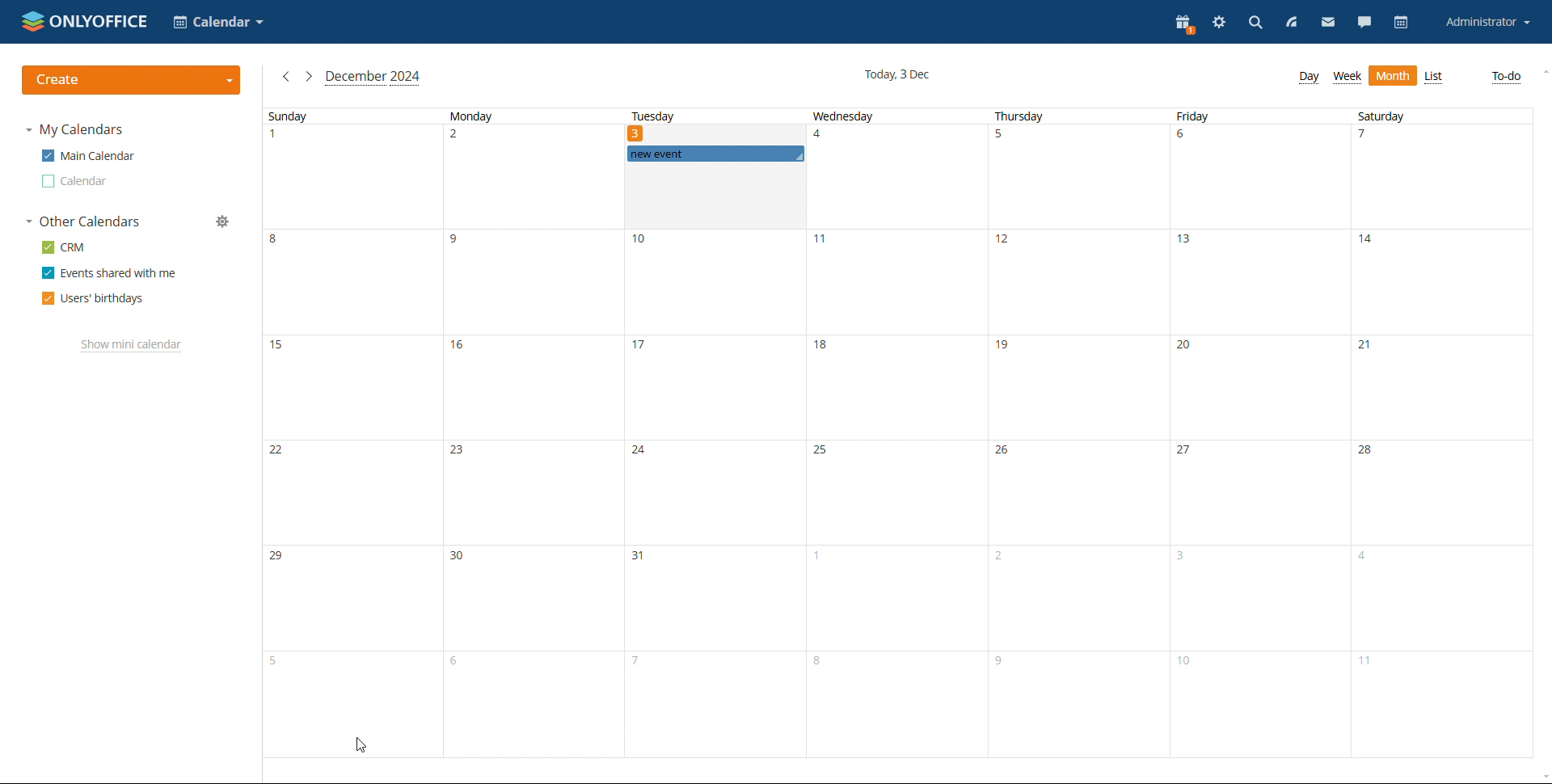  Describe the element at coordinates (896, 434) in the screenshot. I see `wednesday` at that location.